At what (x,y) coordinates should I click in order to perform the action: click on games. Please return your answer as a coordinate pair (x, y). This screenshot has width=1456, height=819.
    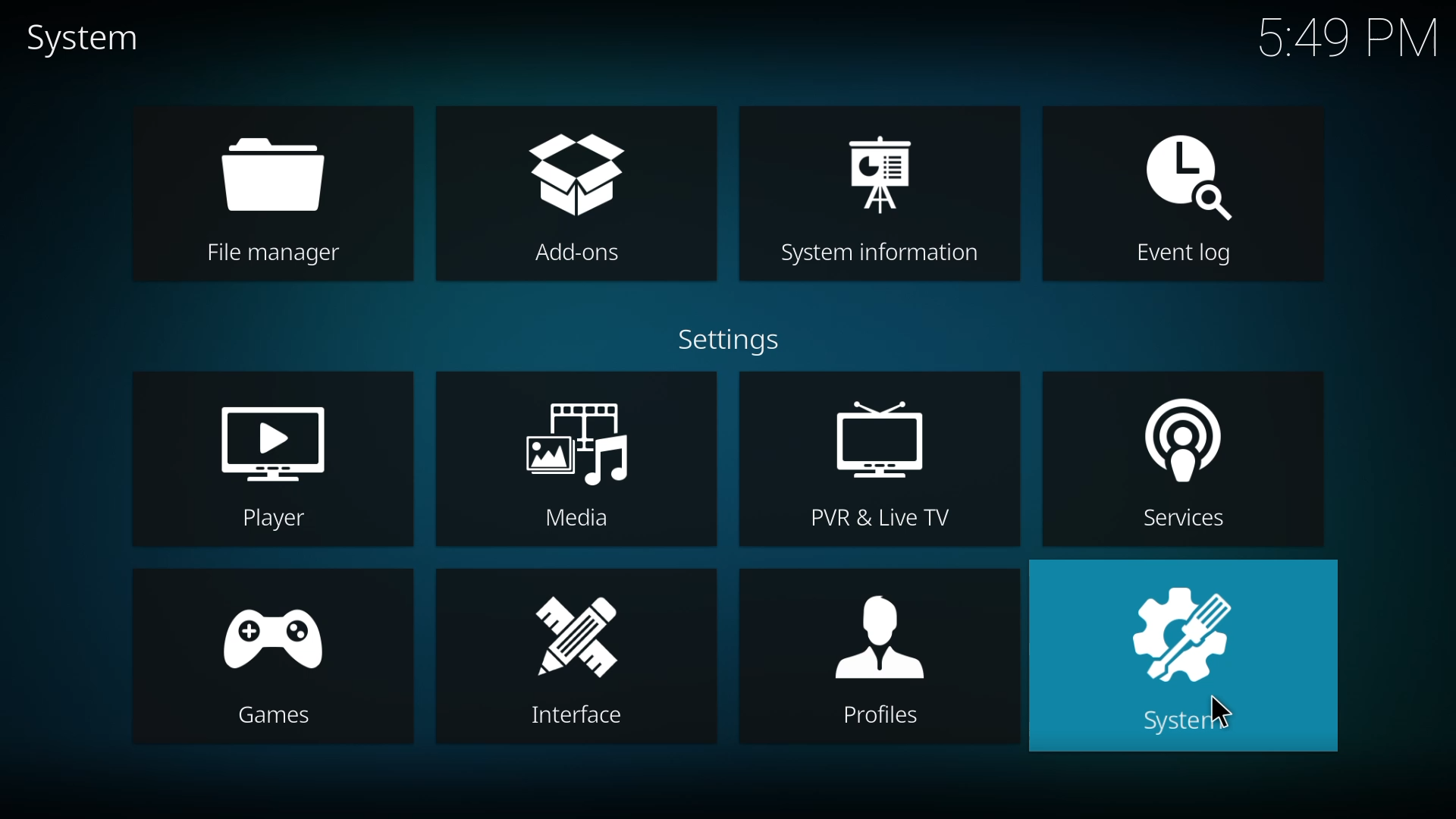
    Looking at the image, I should click on (278, 665).